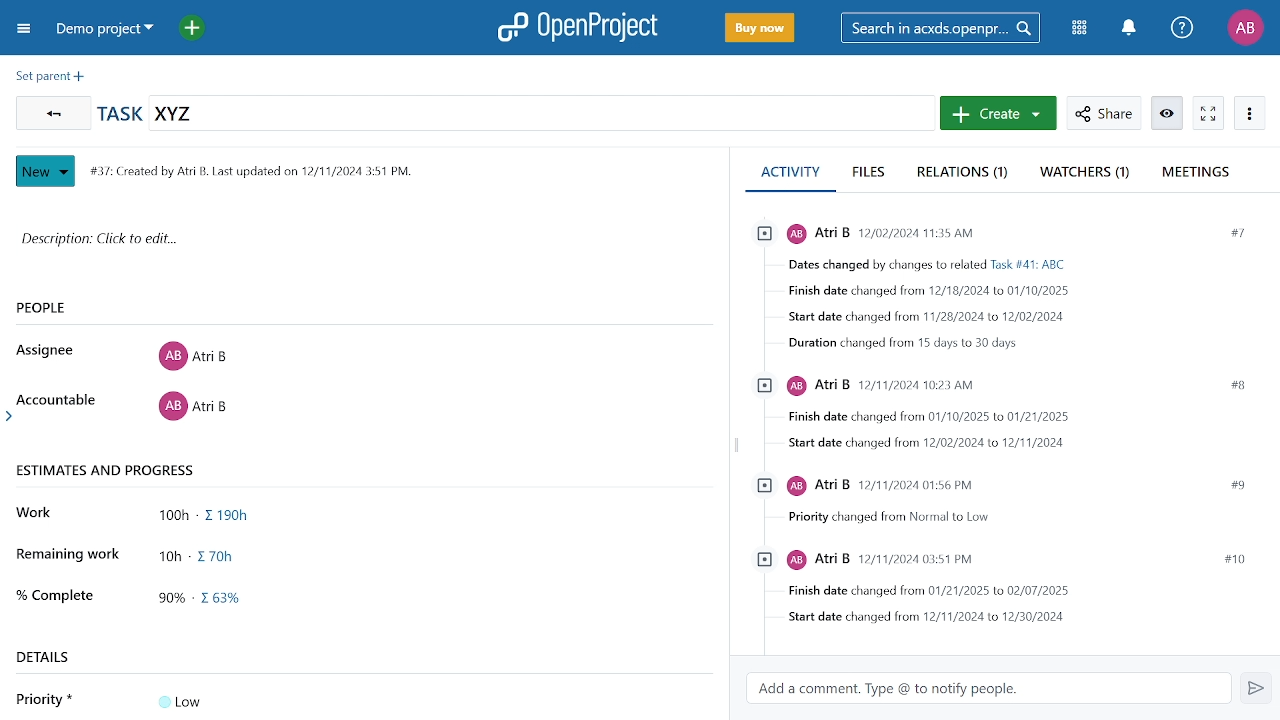 This screenshot has height=720, width=1280. What do you see at coordinates (197, 354) in the screenshot?
I see `Atri B` at bounding box center [197, 354].